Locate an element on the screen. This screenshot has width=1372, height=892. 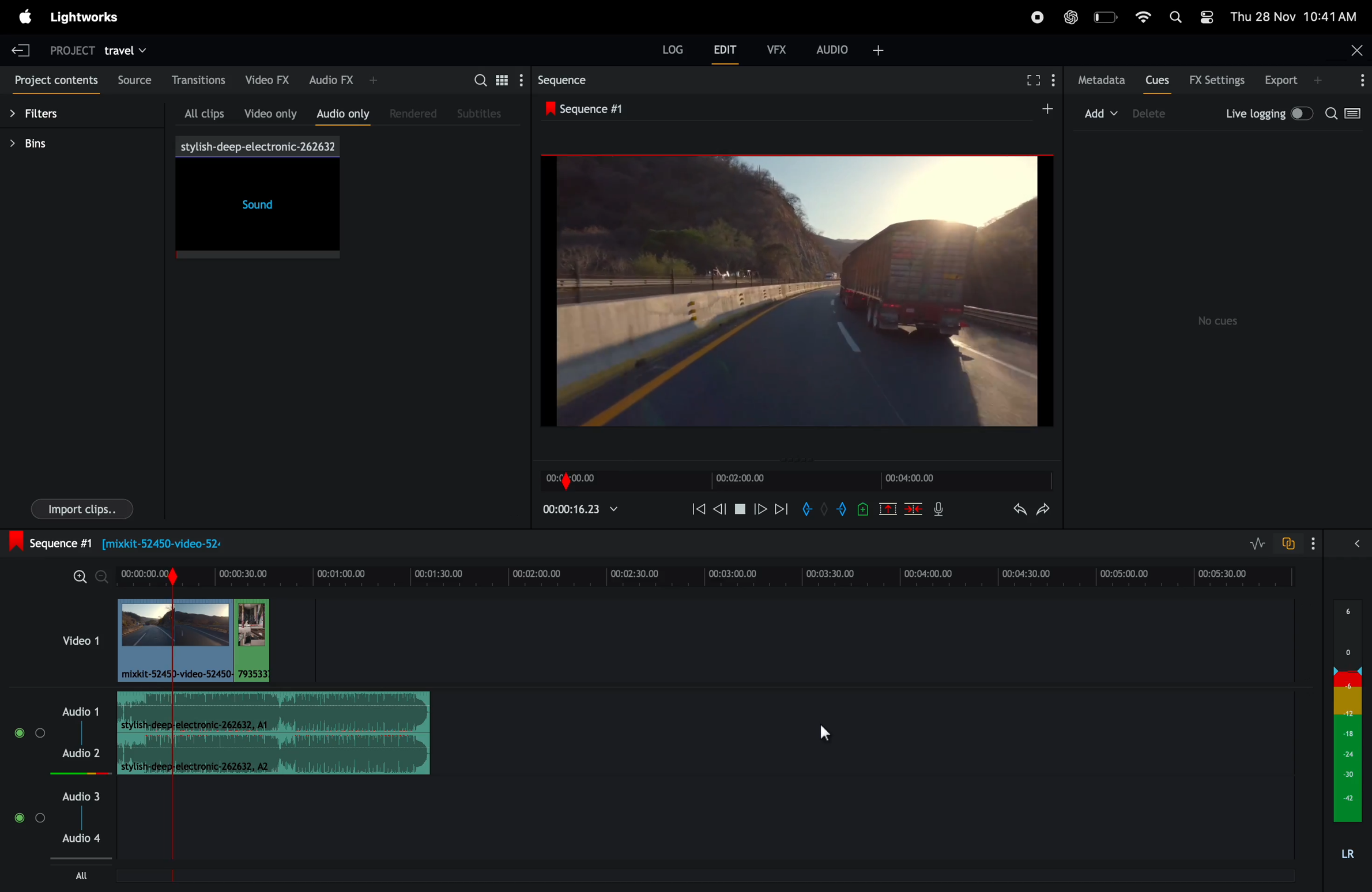
audio 3 is located at coordinates (82, 795).